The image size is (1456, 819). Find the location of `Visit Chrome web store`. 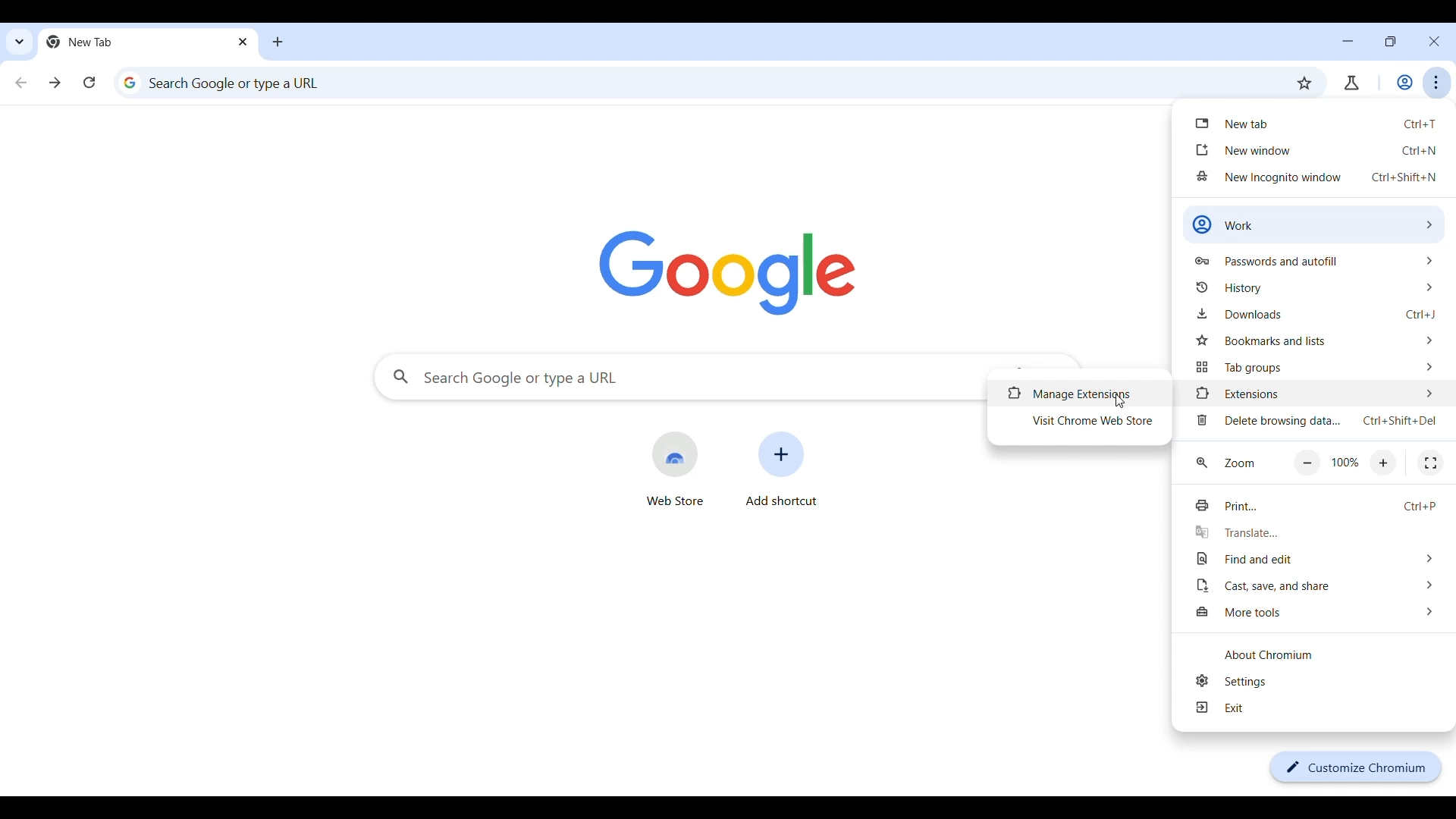

Visit Chrome web store is located at coordinates (1081, 421).